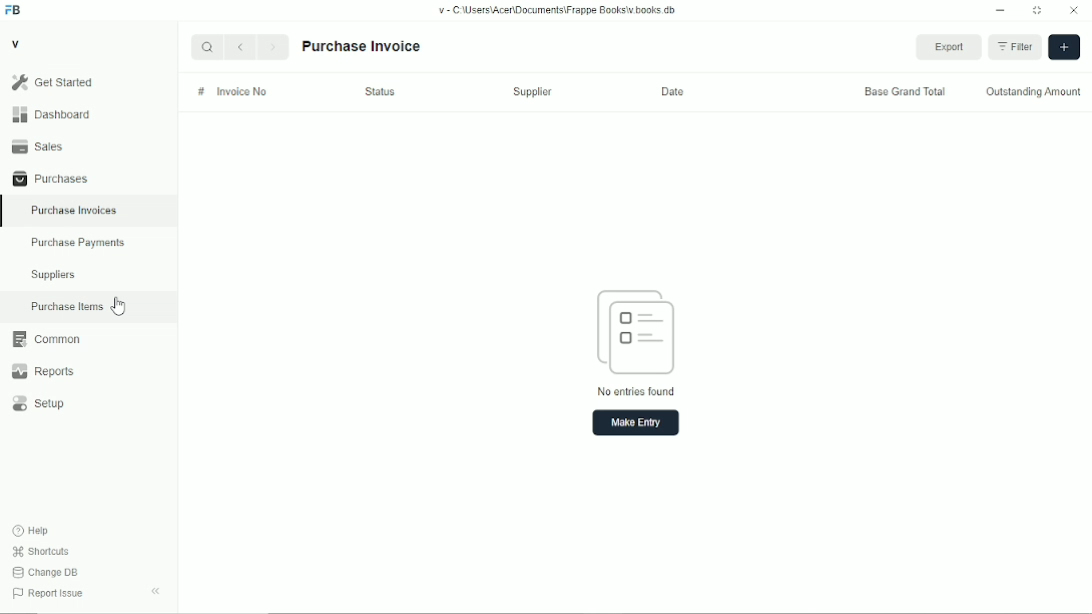 The image size is (1092, 614). Describe the element at coordinates (636, 332) in the screenshot. I see `entry icon` at that location.